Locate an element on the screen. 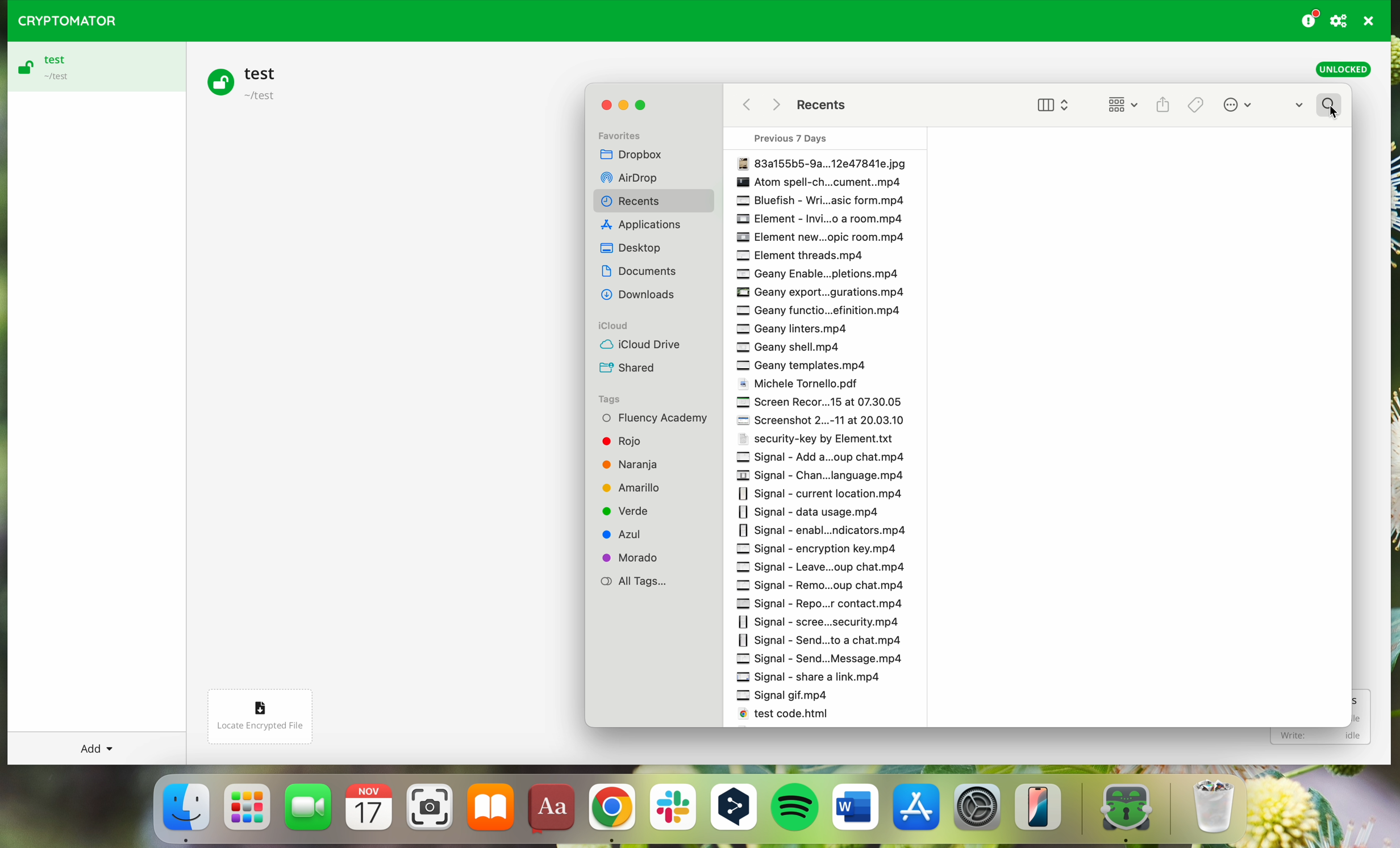 The image size is (1400, 848).  is located at coordinates (643, 271).